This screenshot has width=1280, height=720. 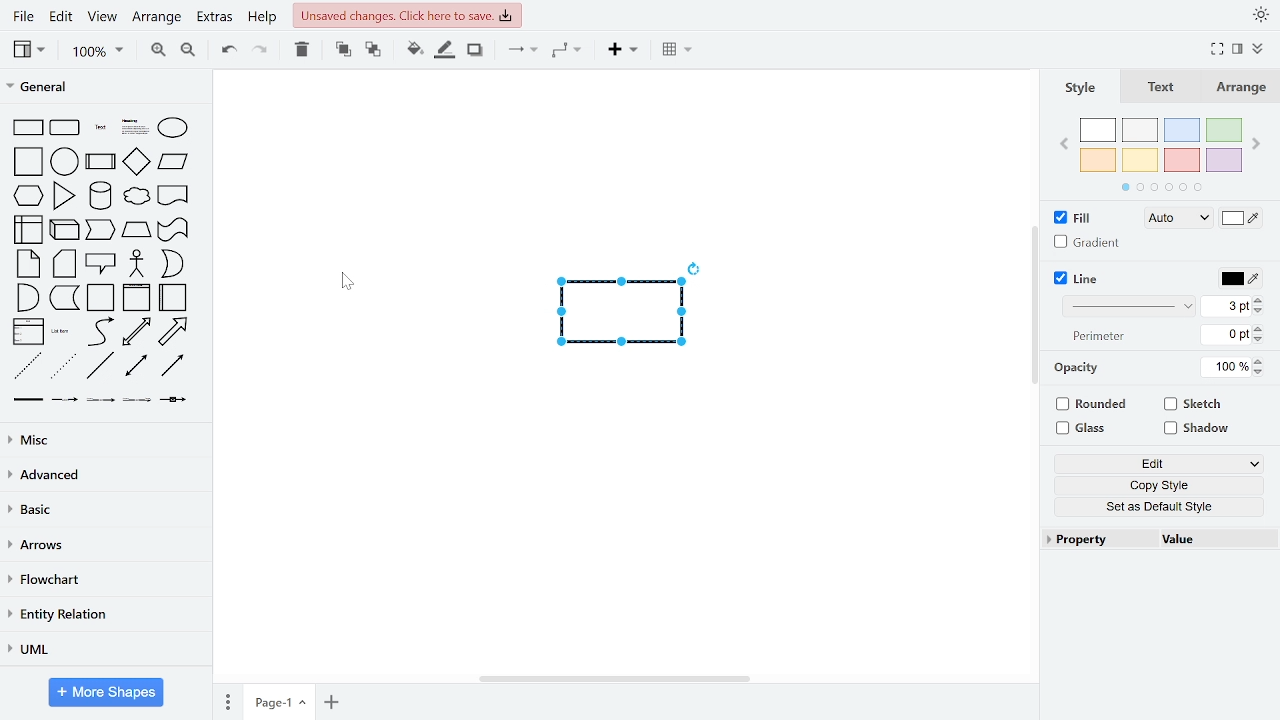 What do you see at coordinates (102, 511) in the screenshot?
I see `basic` at bounding box center [102, 511].